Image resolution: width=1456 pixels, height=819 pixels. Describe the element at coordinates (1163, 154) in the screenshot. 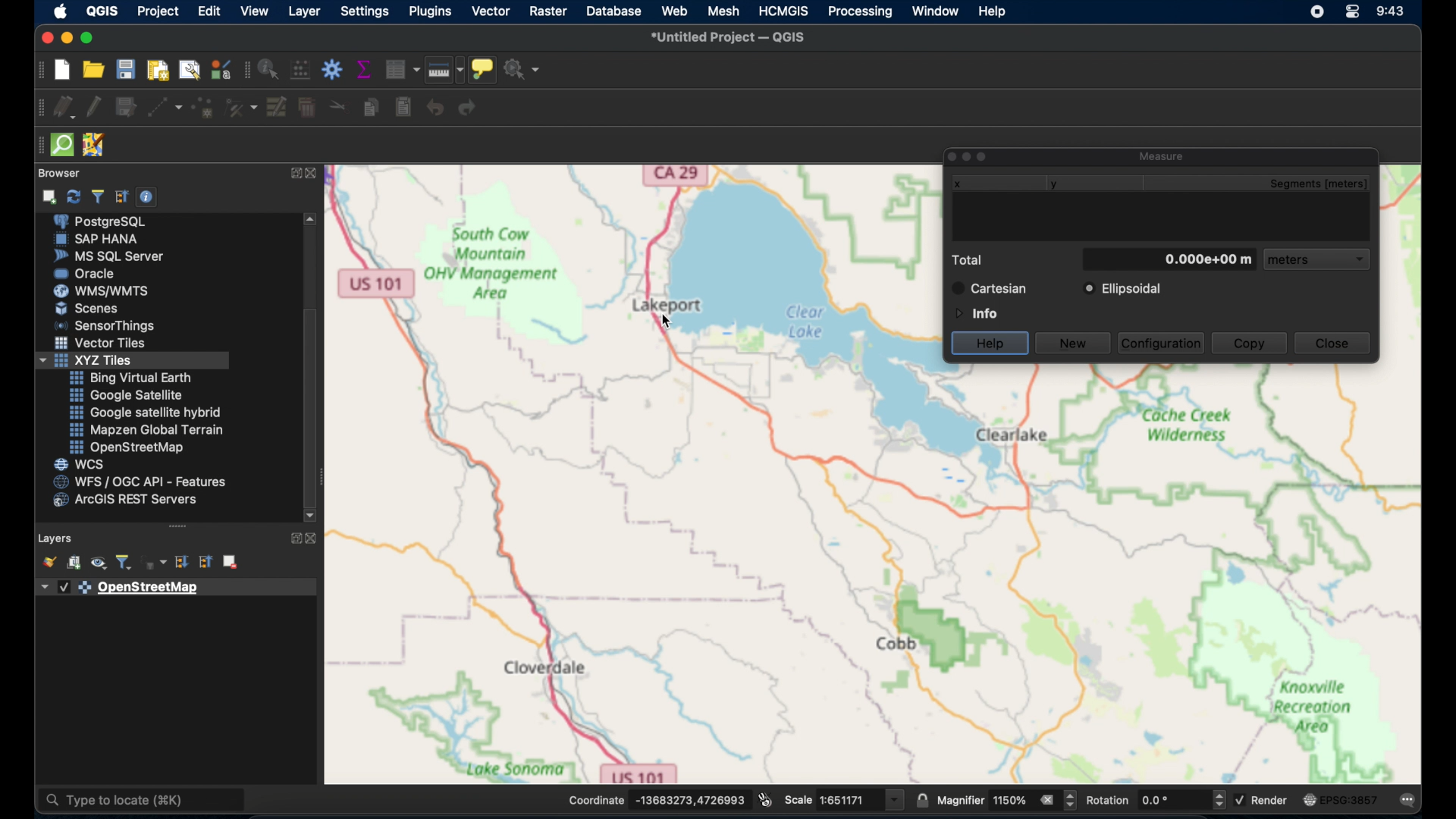

I see `measure` at that location.